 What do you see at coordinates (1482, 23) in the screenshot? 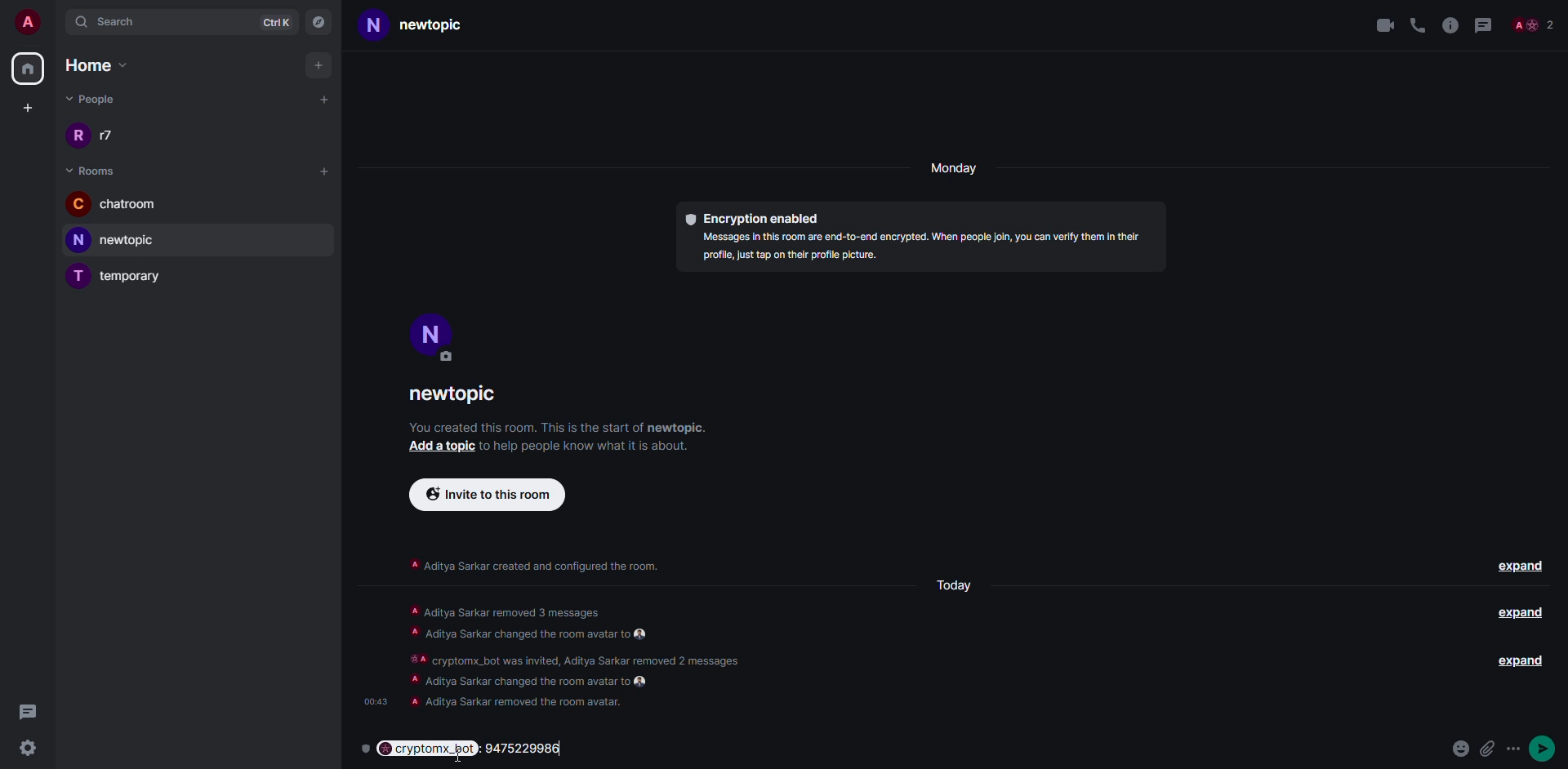
I see `threads` at bounding box center [1482, 23].